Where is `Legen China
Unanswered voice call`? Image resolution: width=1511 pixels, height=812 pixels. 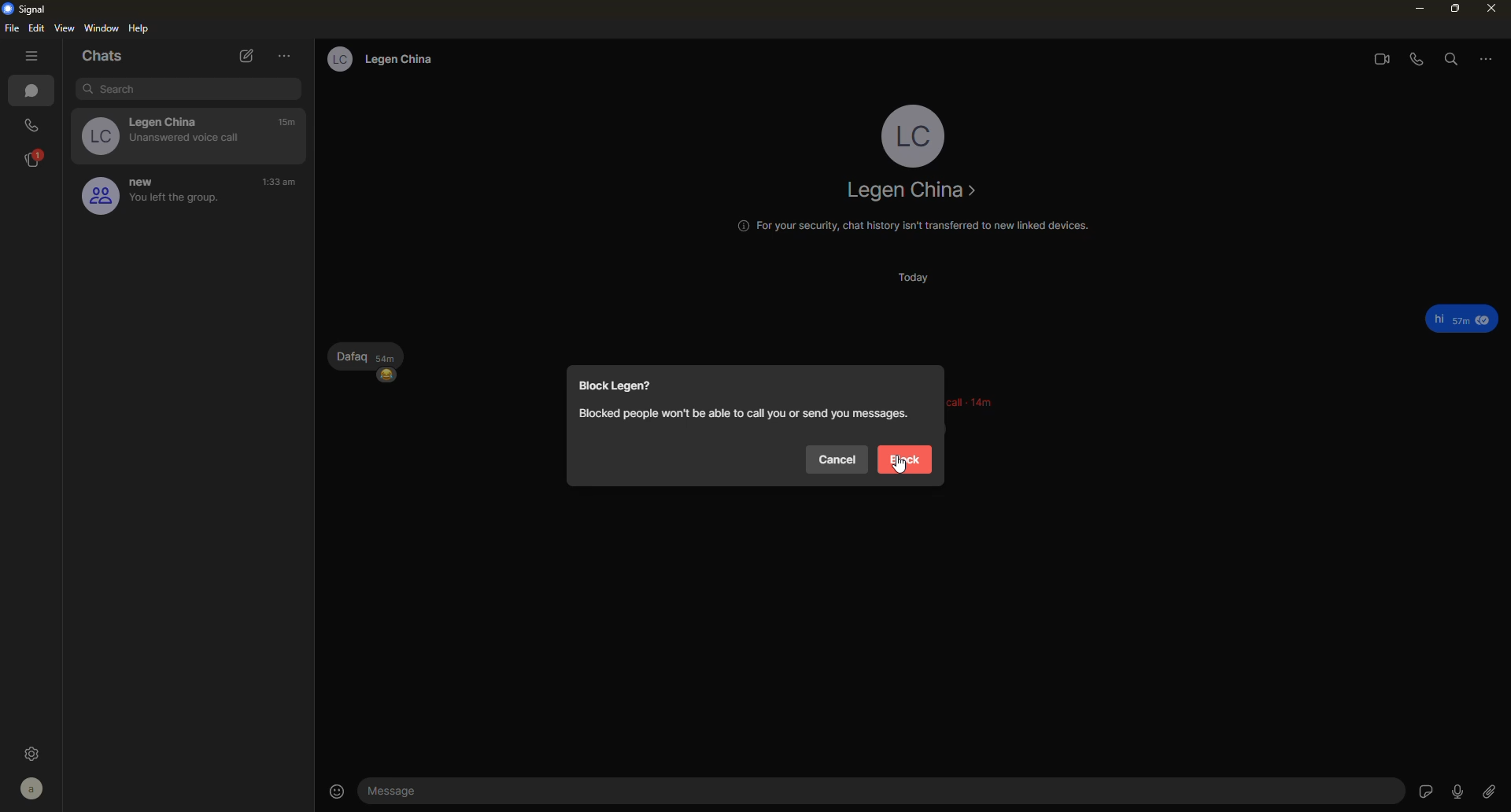
Legen China
Unanswered voice call is located at coordinates (157, 135).